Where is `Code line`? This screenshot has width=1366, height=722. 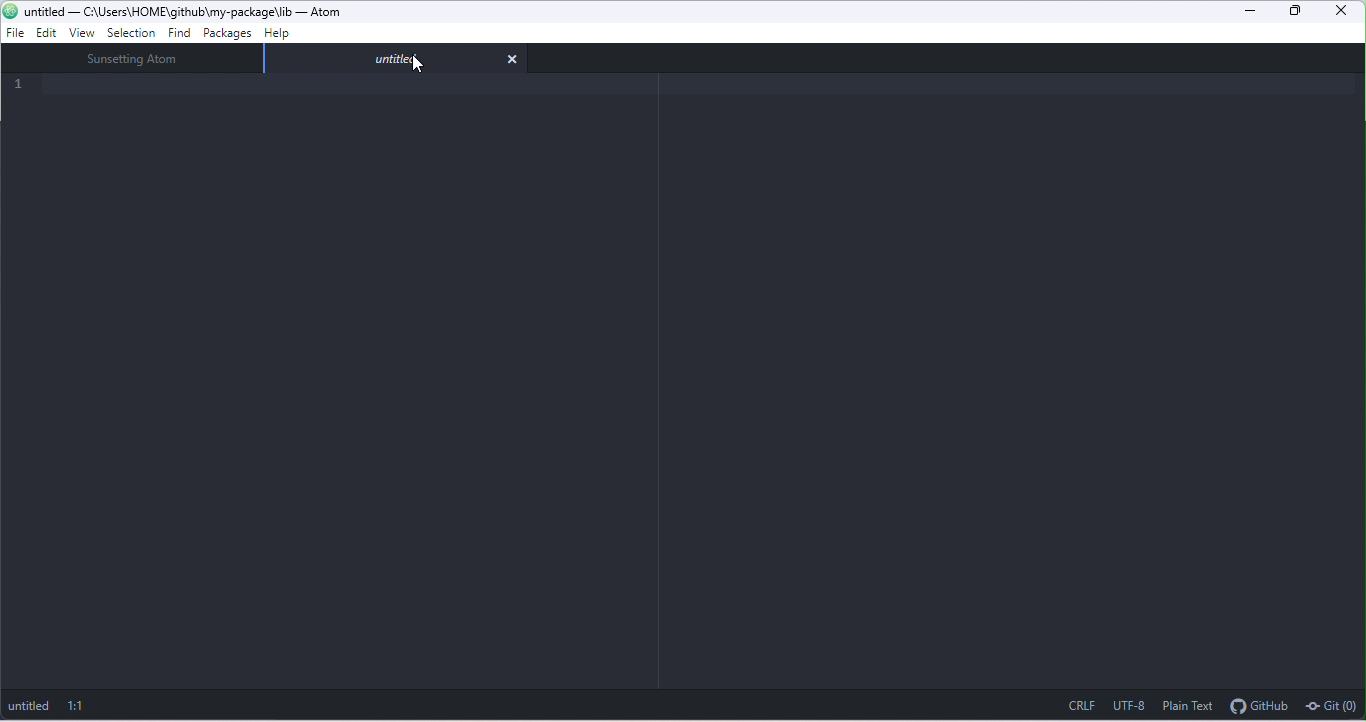
Code line is located at coordinates (23, 92).